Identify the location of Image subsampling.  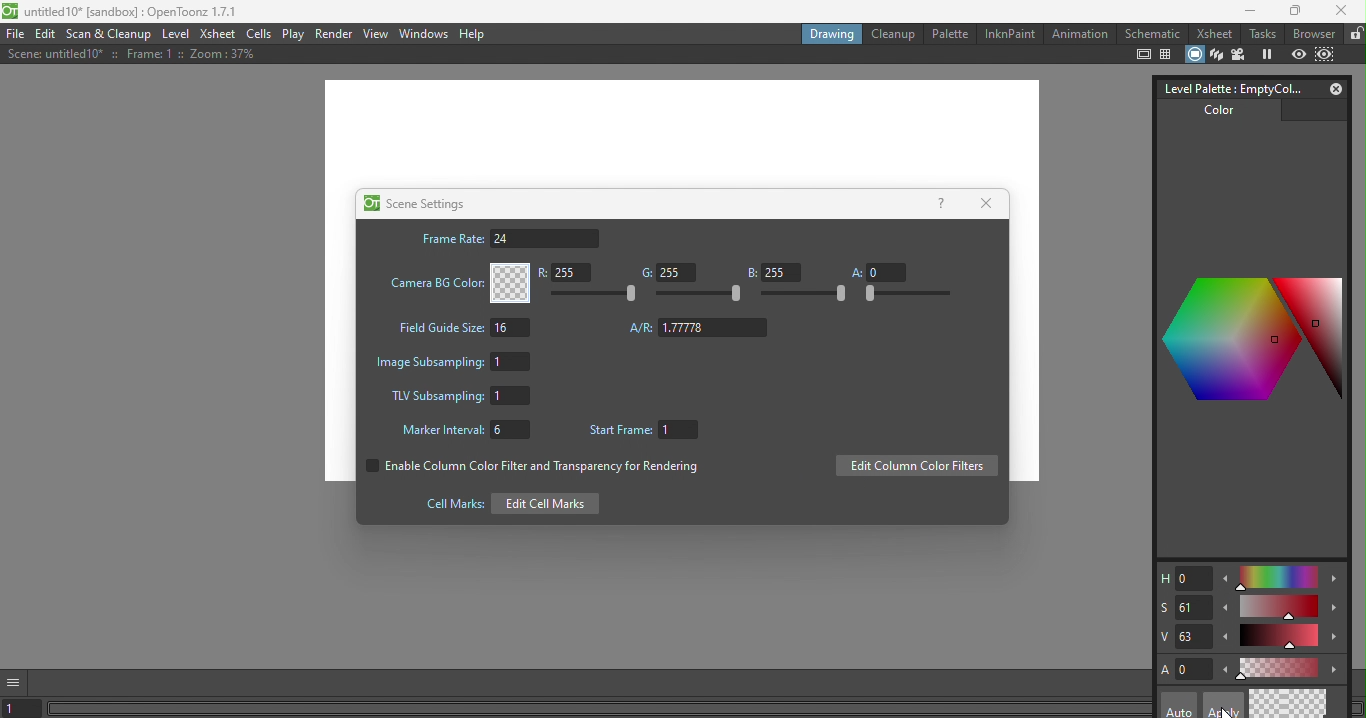
(457, 360).